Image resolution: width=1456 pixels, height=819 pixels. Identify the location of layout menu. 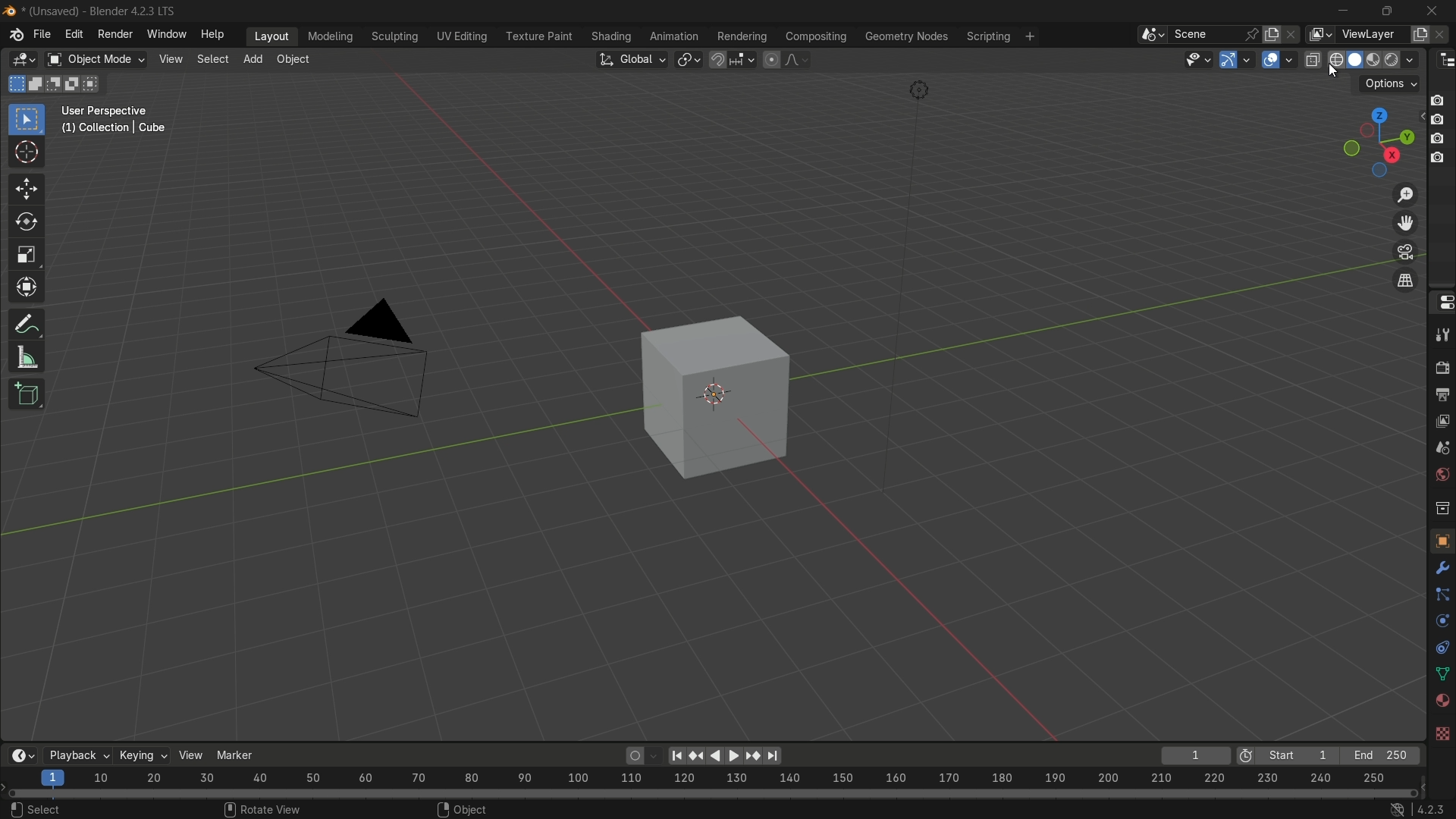
(271, 34).